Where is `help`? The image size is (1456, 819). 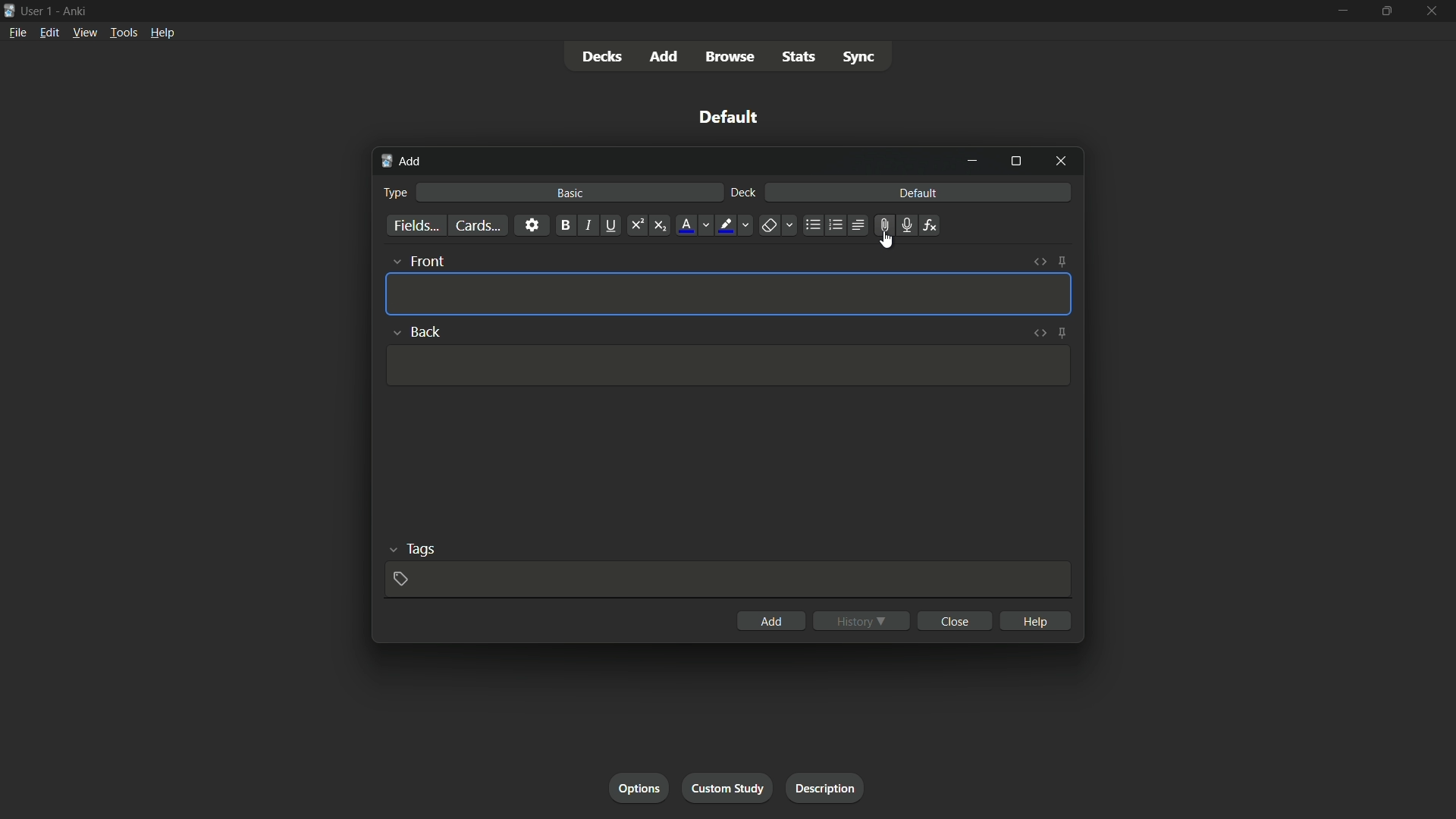 help is located at coordinates (1036, 620).